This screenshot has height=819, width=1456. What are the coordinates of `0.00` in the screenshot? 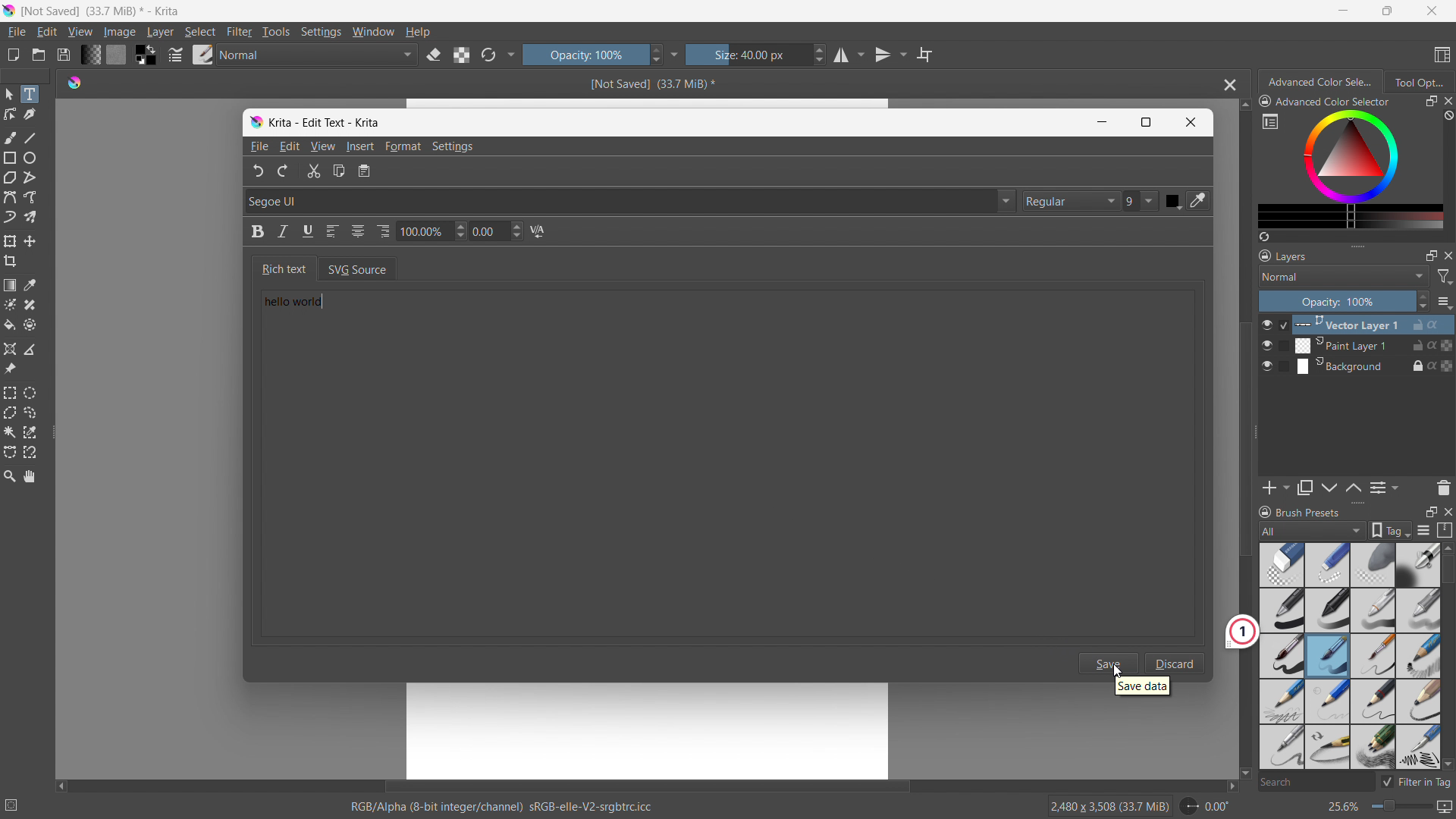 It's located at (498, 232).